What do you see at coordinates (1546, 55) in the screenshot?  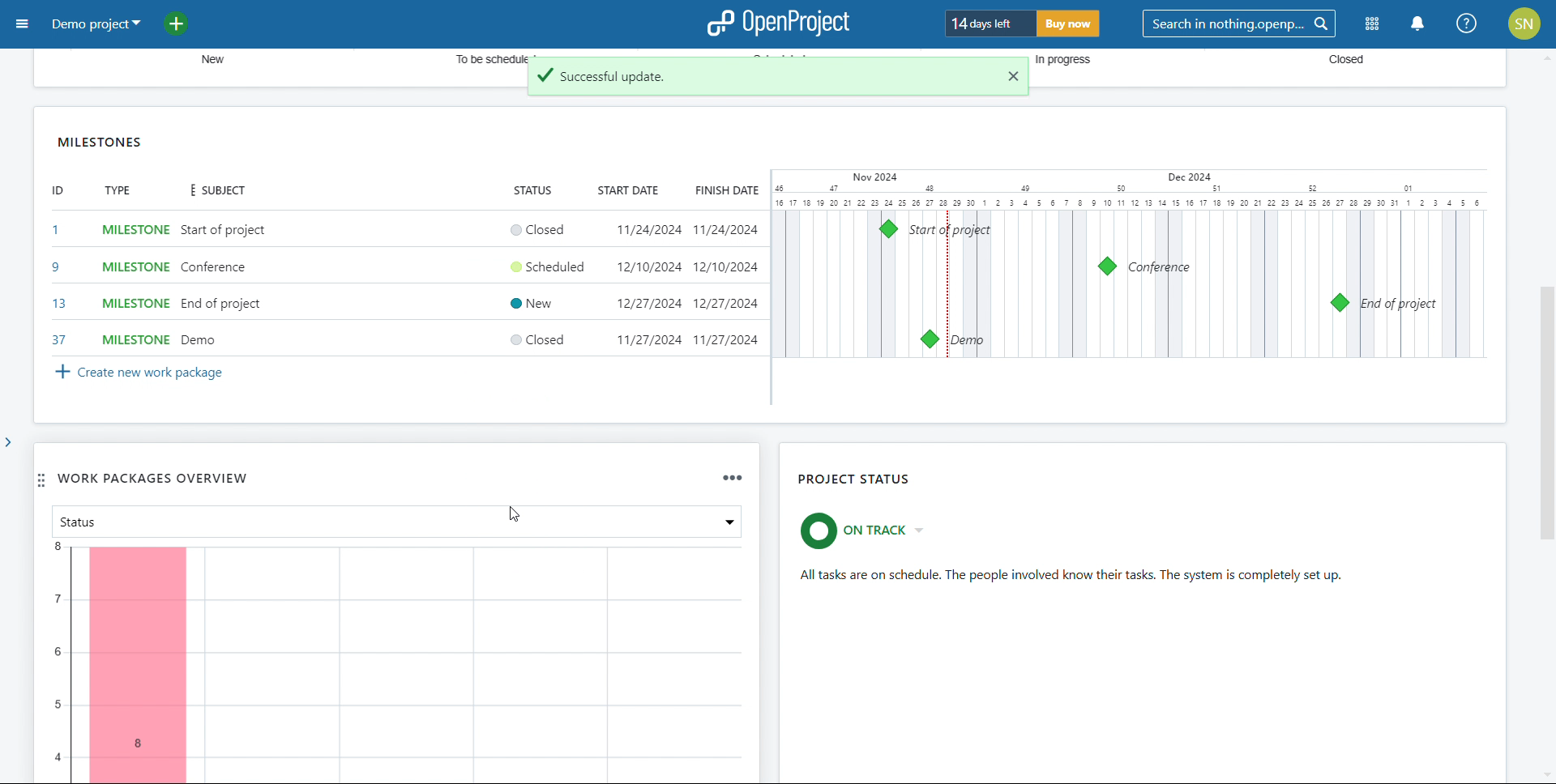 I see `scroll up` at bounding box center [1546, 55].